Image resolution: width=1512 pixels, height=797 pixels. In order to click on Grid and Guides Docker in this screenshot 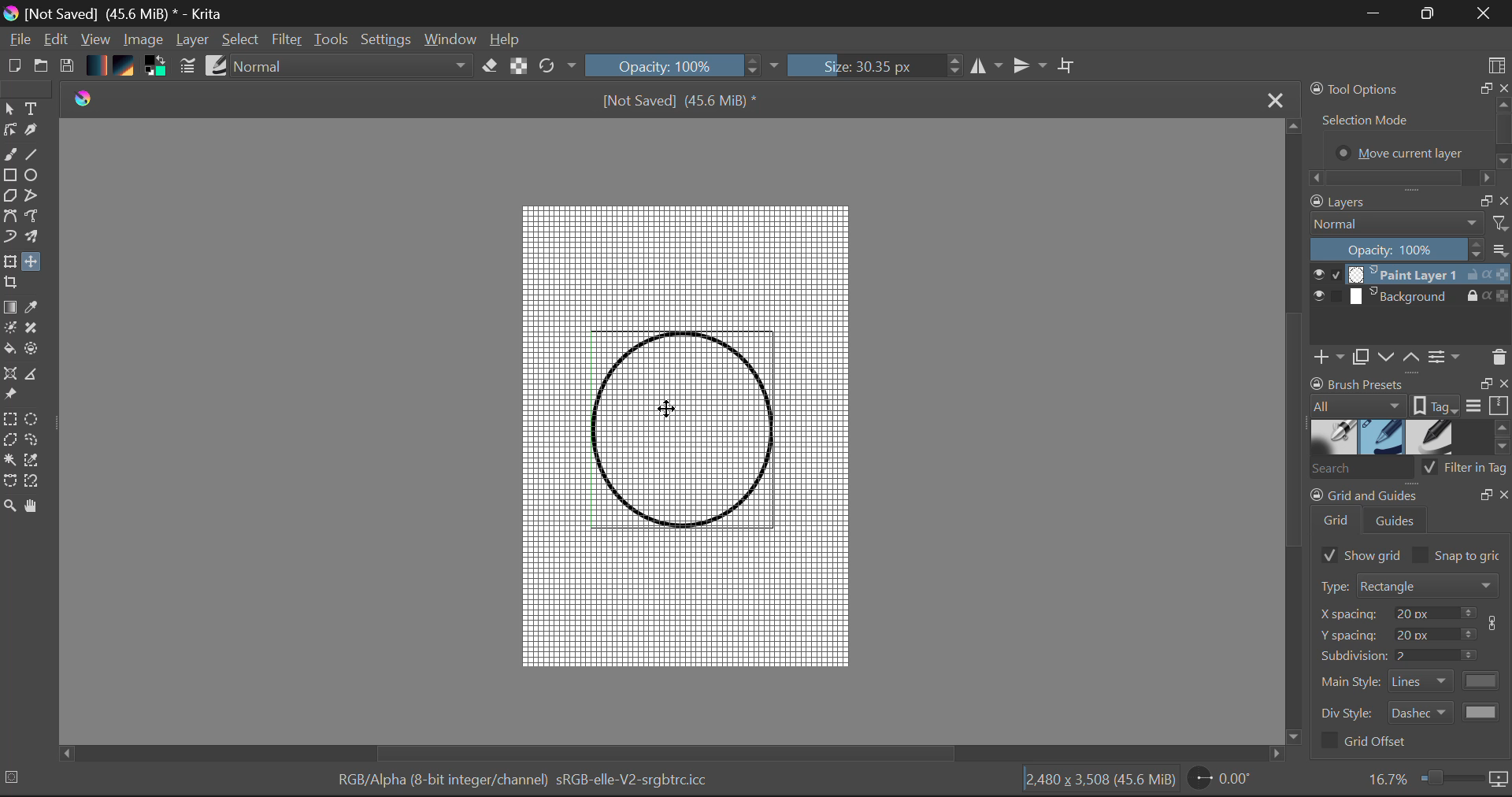, I will do `click(1411, 664)`.